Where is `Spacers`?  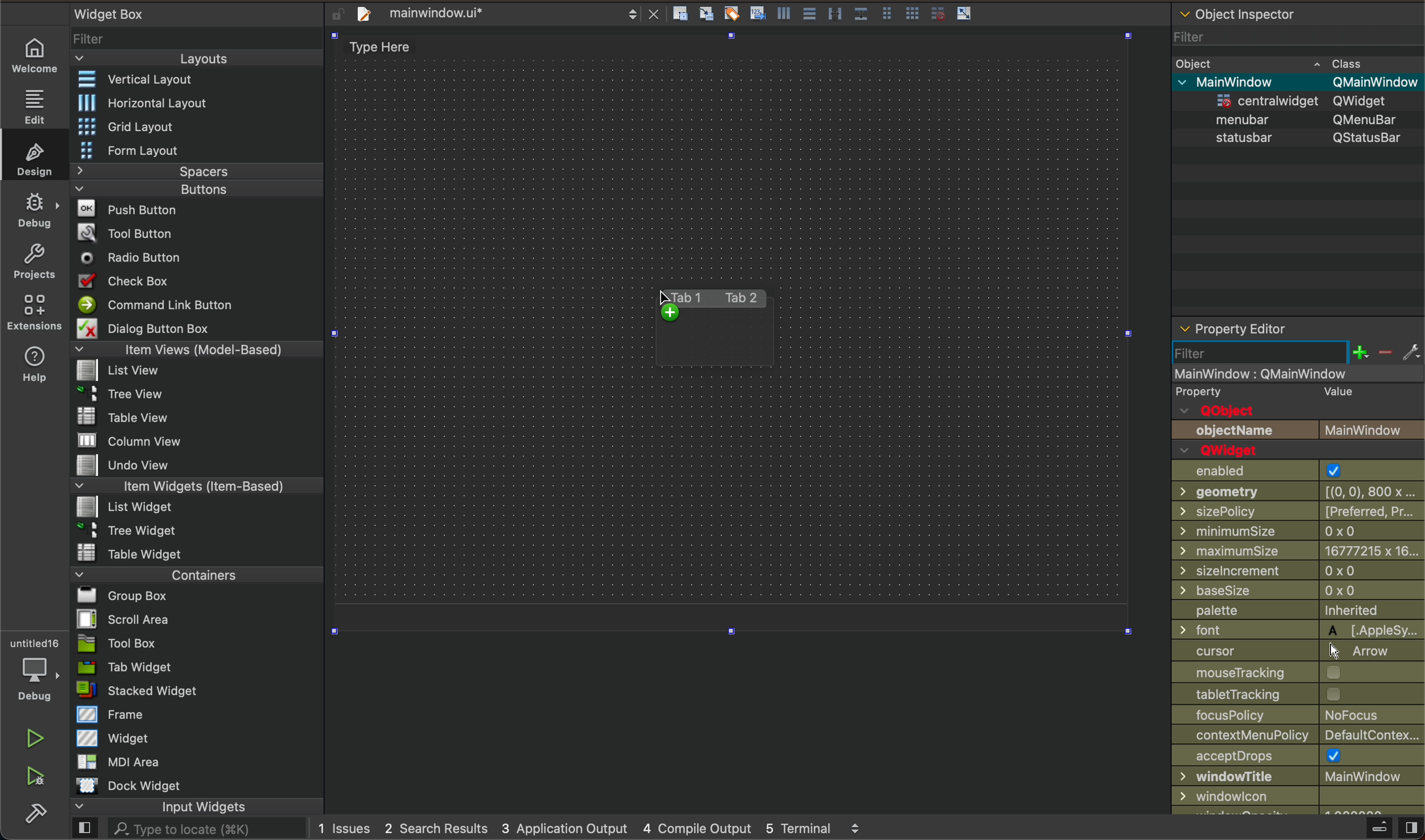
Spacers is located at coordinates (198, 172).